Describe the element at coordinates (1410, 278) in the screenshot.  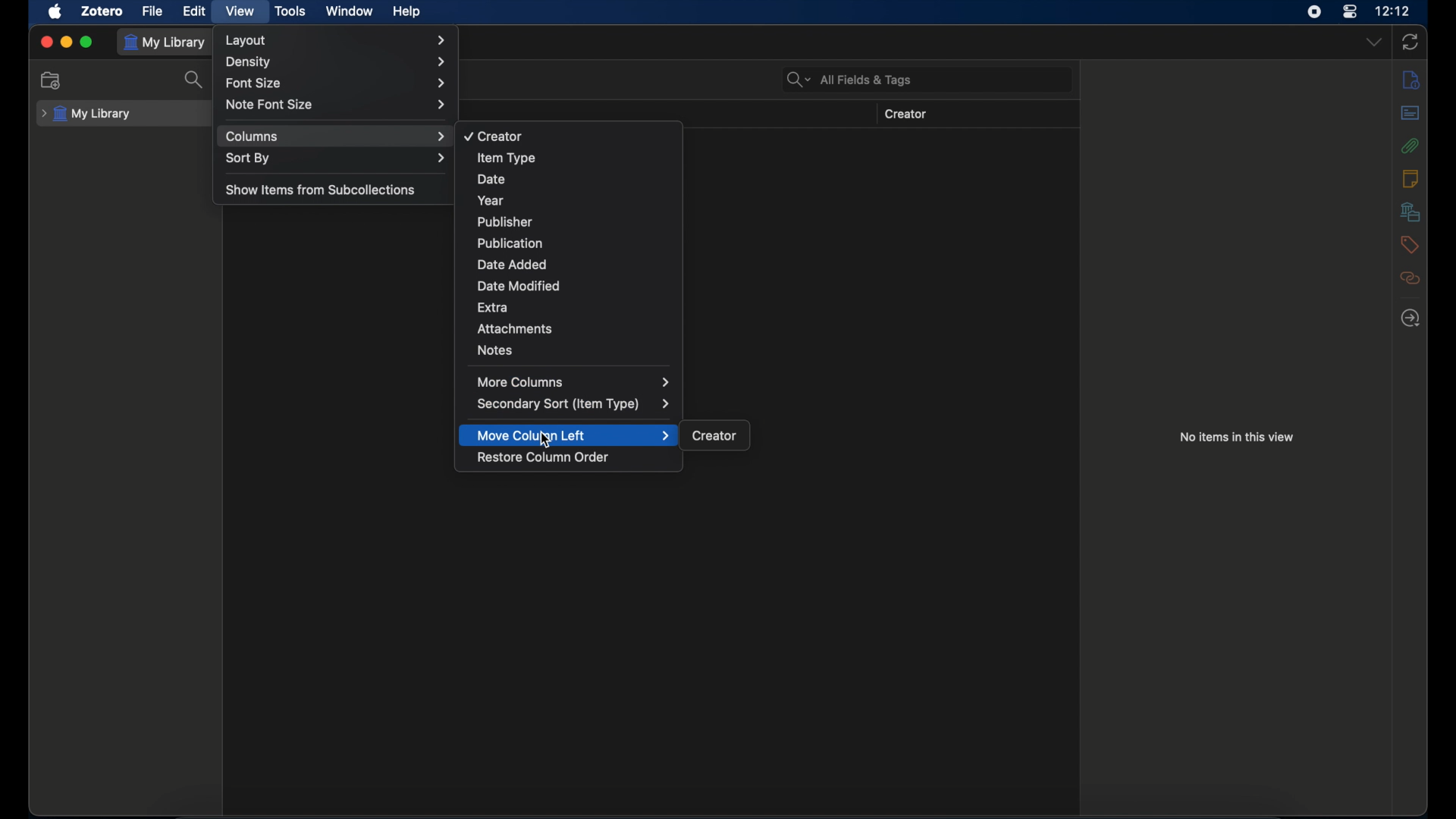
I see `related` at that location.